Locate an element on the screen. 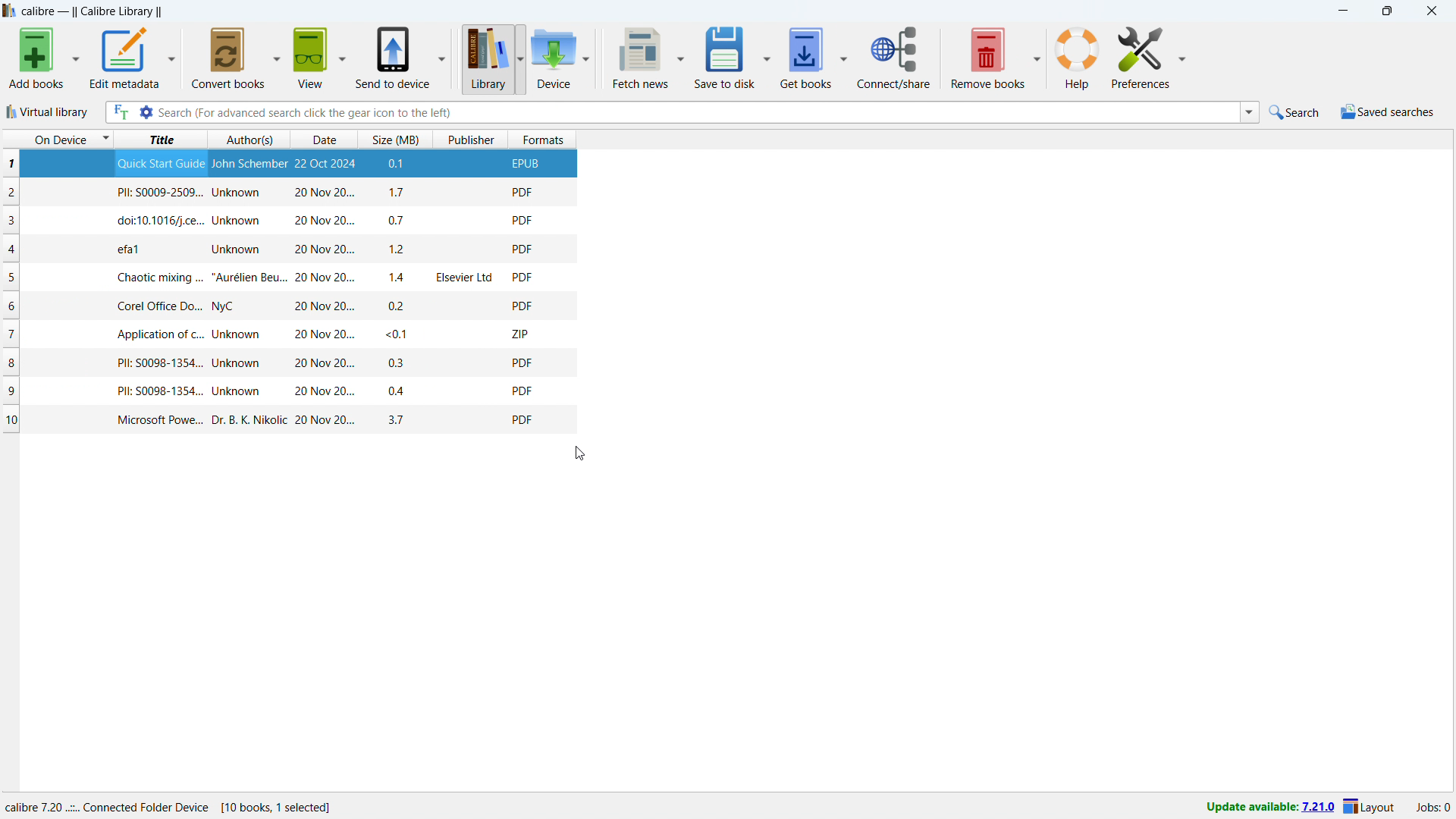 This screenshot has width=1456, height=819. one book entry is located at coordinates (290, 165).